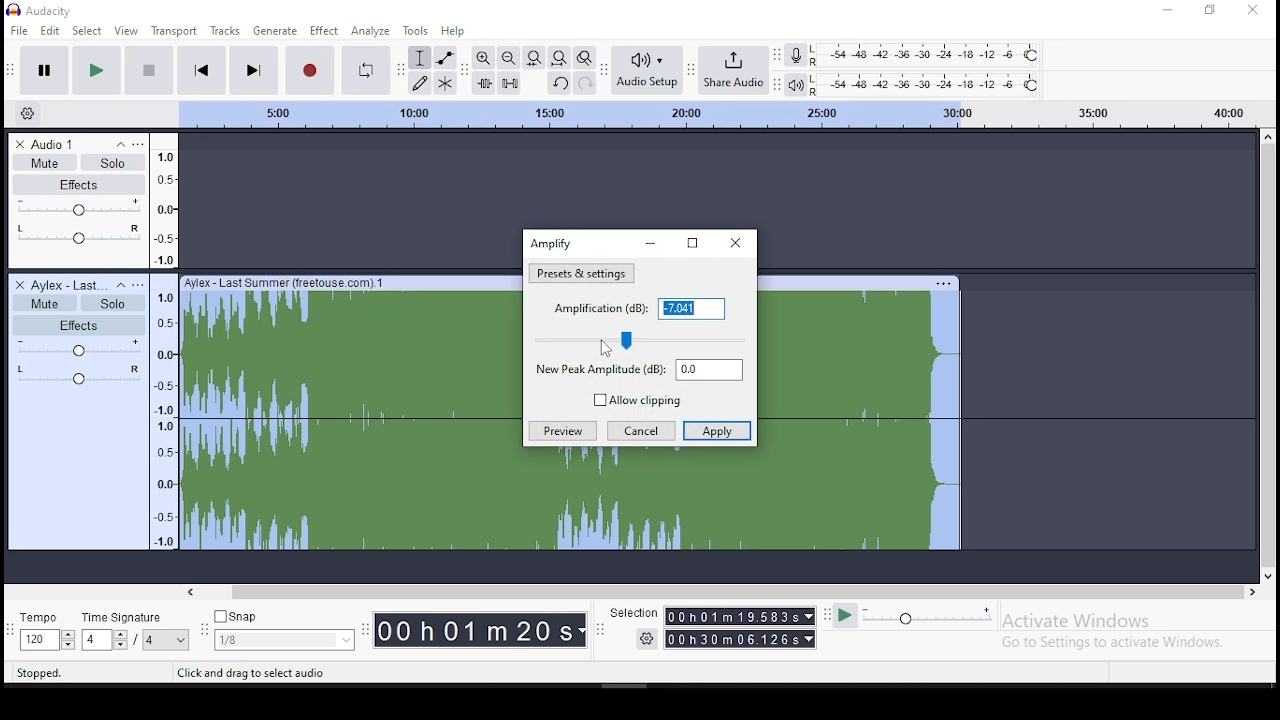 The width and height of the screenshot is (1280, 720). What do you see at coordinates (364, 71) in the screenshot?
I see `enable looping` at bounding box center [364, 71].